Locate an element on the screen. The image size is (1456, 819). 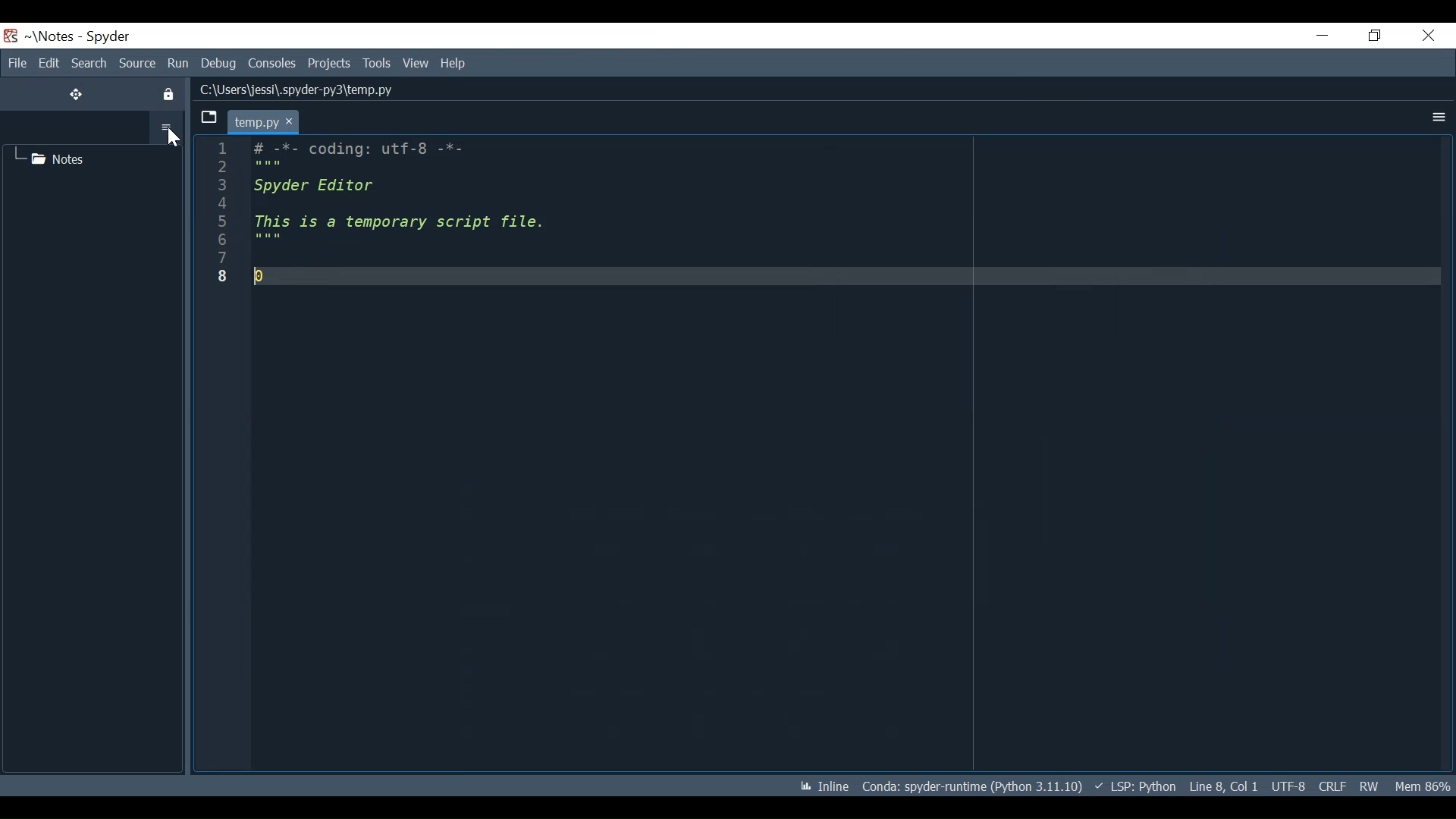
More Options  is located at coordinates (167, 127).